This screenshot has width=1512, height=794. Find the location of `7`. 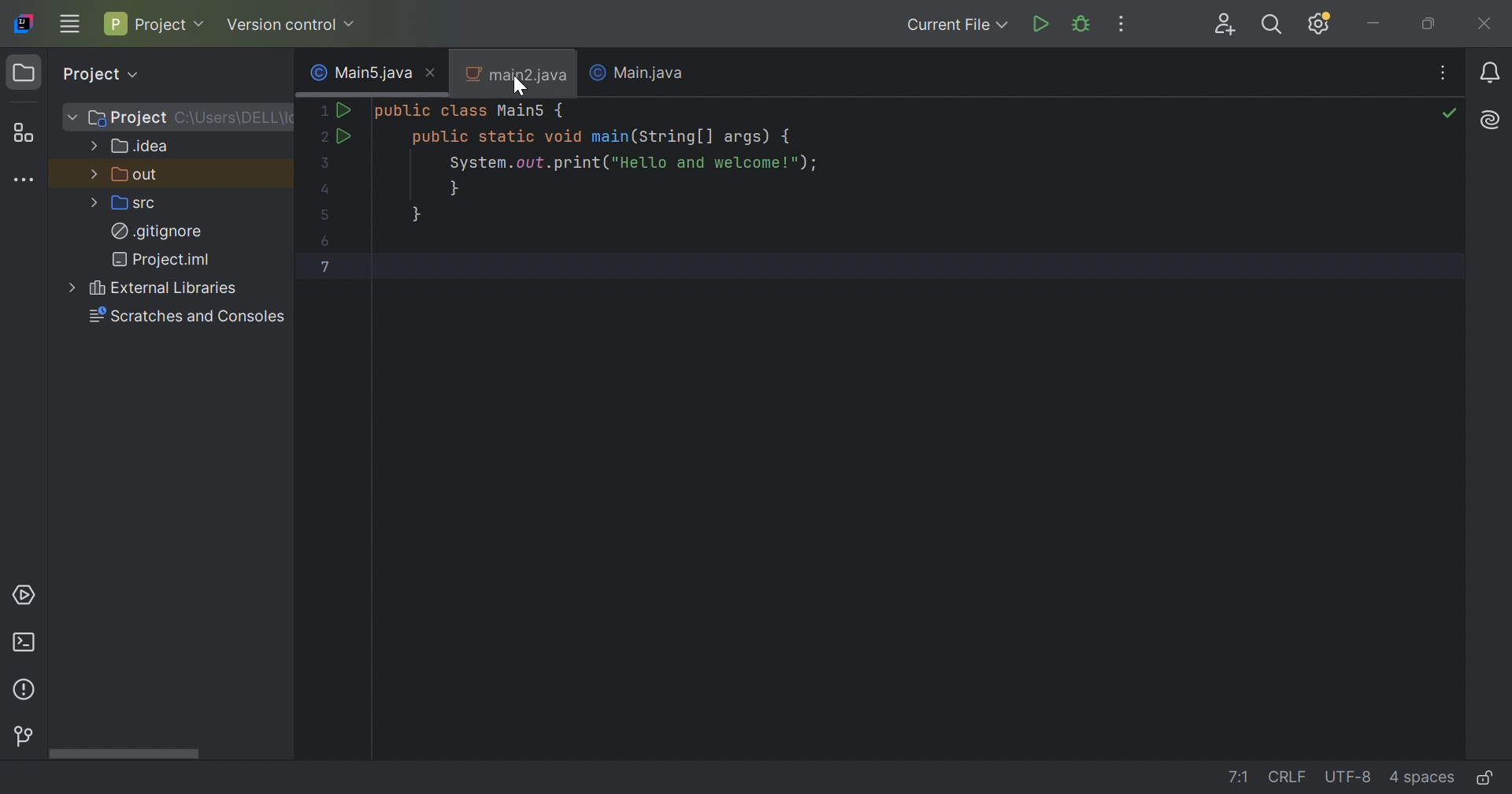

7 is located at coordinates (325, 268).